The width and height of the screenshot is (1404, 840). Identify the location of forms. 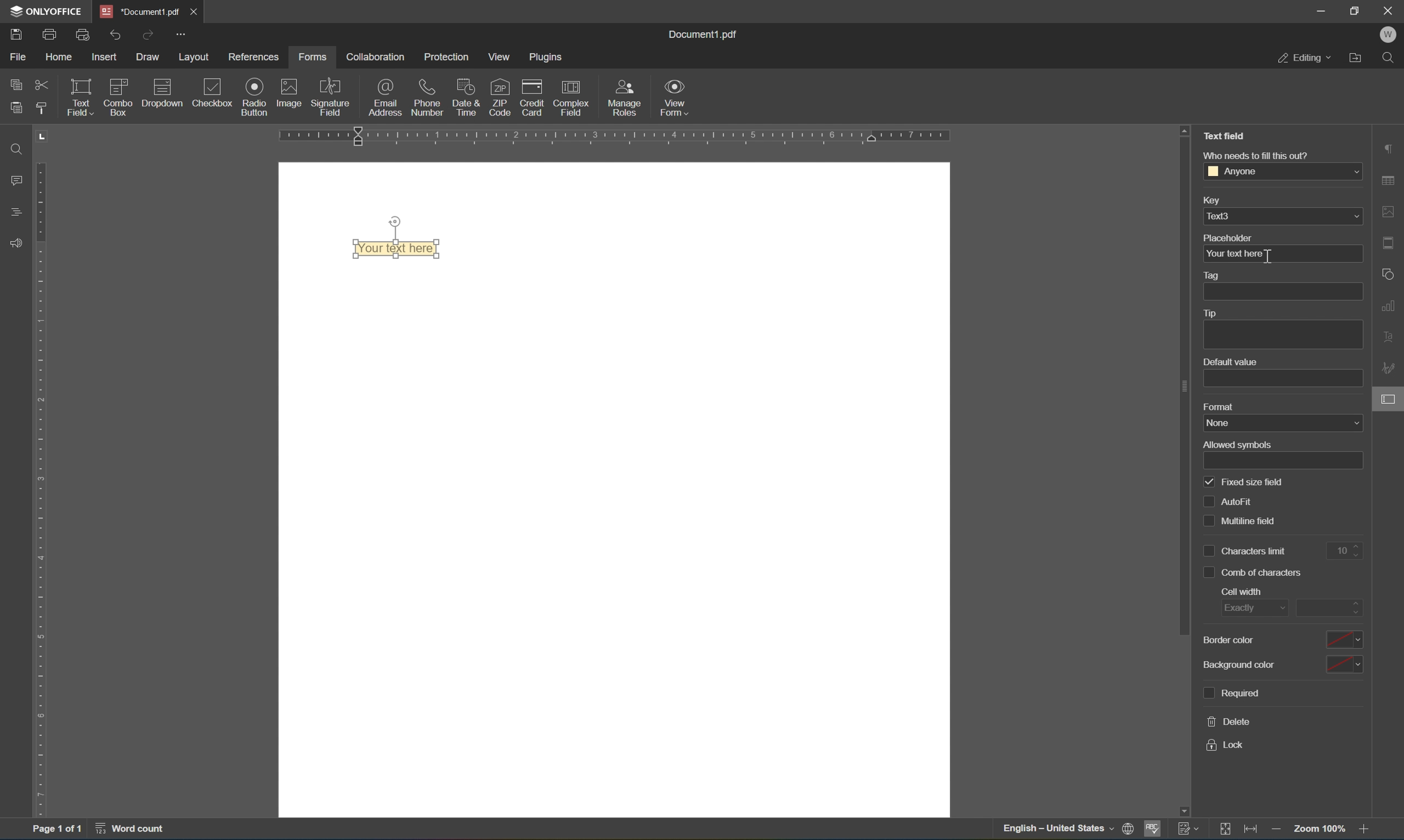
(313, 58).